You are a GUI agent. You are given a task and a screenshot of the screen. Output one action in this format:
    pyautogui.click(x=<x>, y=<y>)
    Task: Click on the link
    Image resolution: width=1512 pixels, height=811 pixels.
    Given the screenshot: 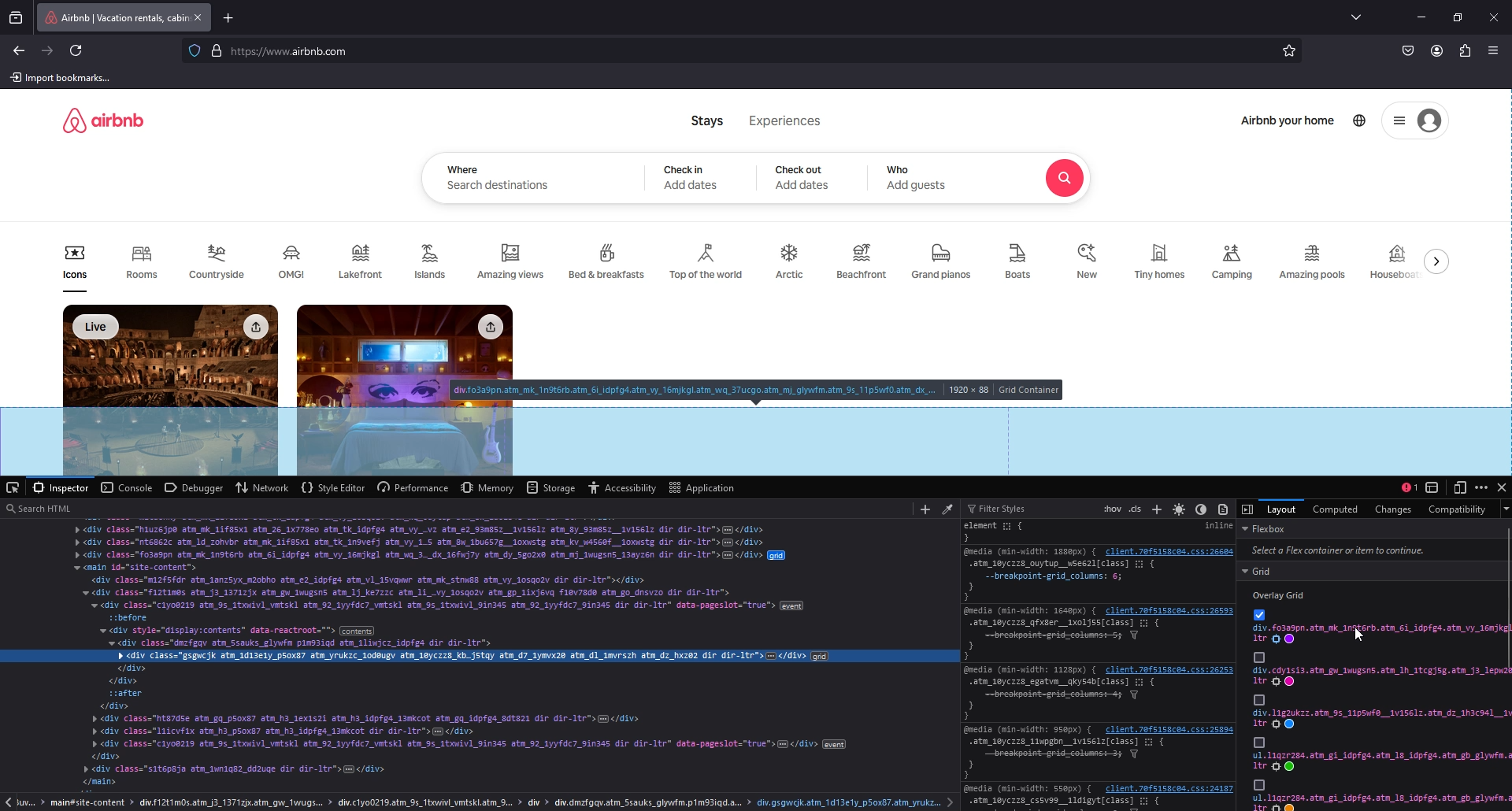 What is the action you would take?
    pyautogui.click(x=1171, y=610)
    